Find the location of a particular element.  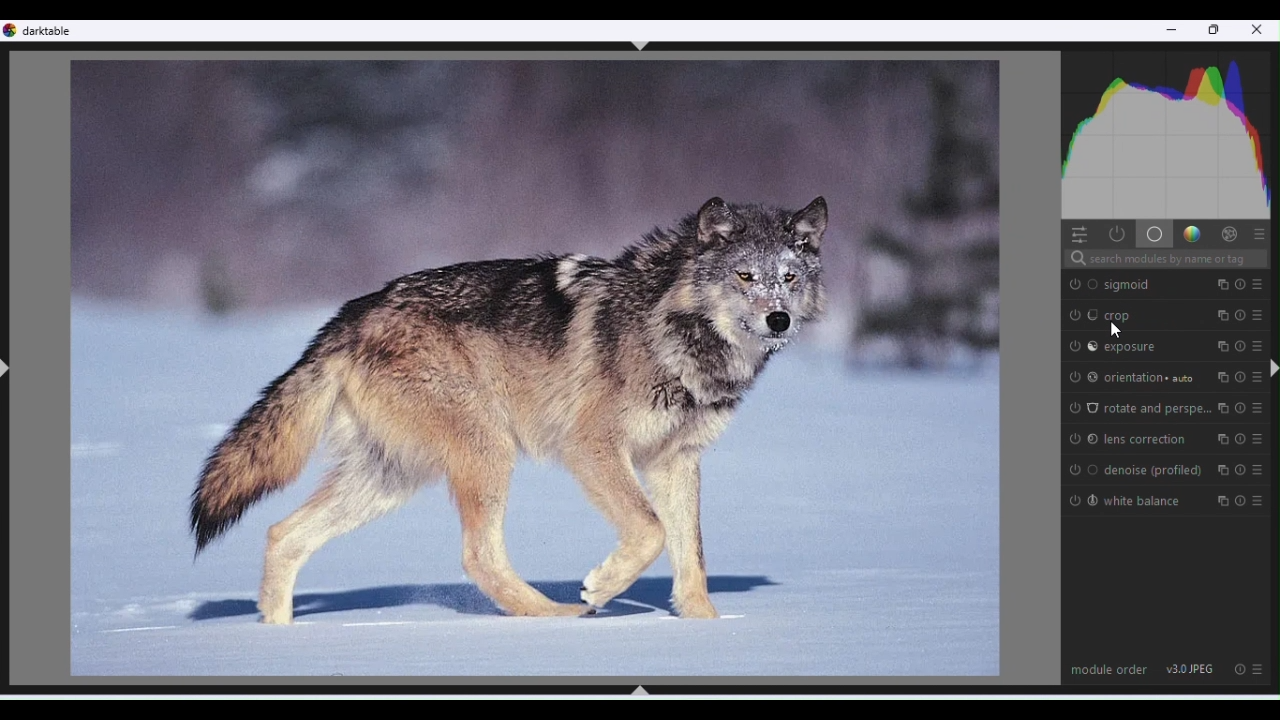

Lens correction is located at coordinates (1165, 438).